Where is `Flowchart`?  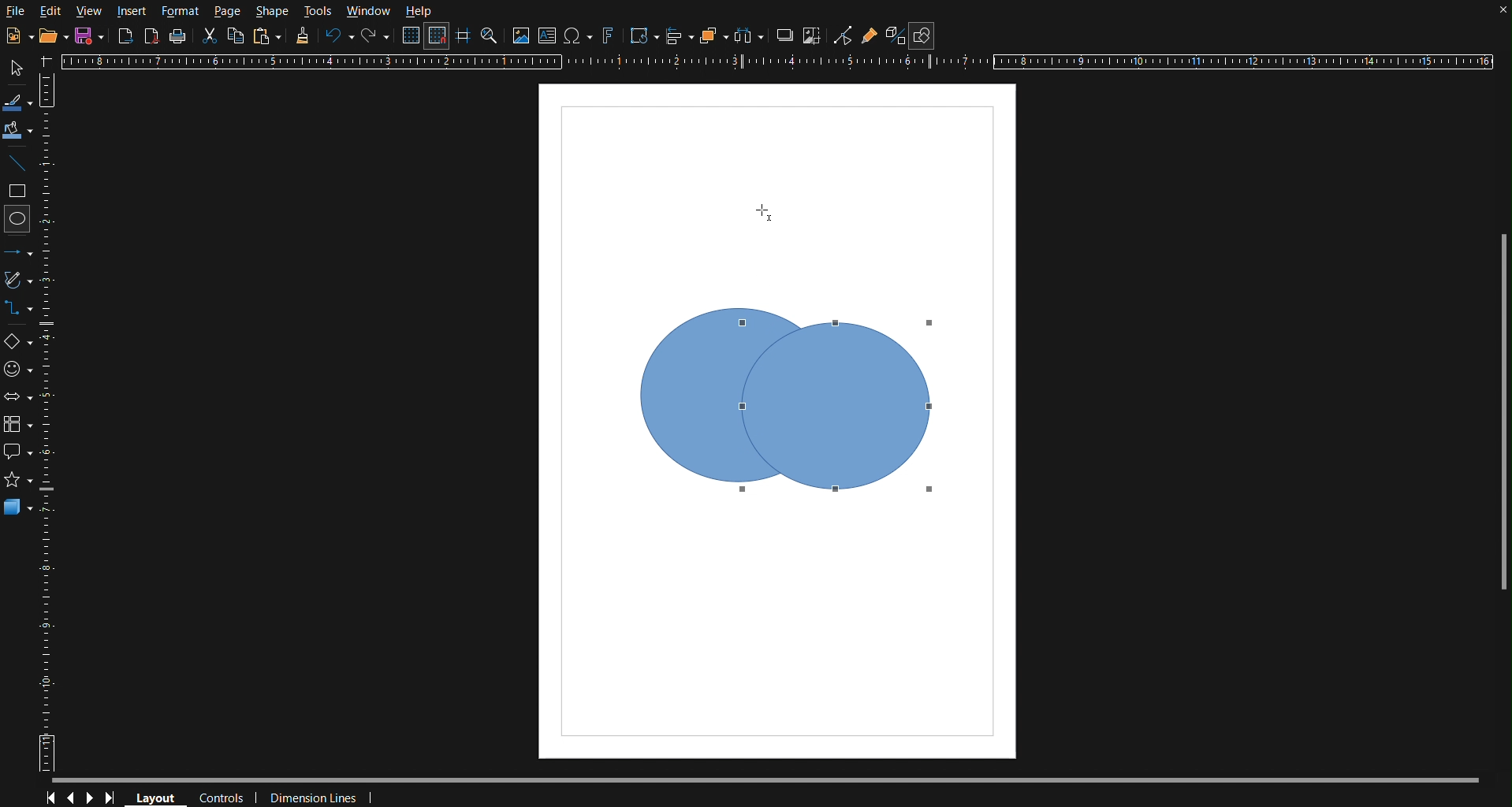
Flowchart is located at coordinates (18, 426).